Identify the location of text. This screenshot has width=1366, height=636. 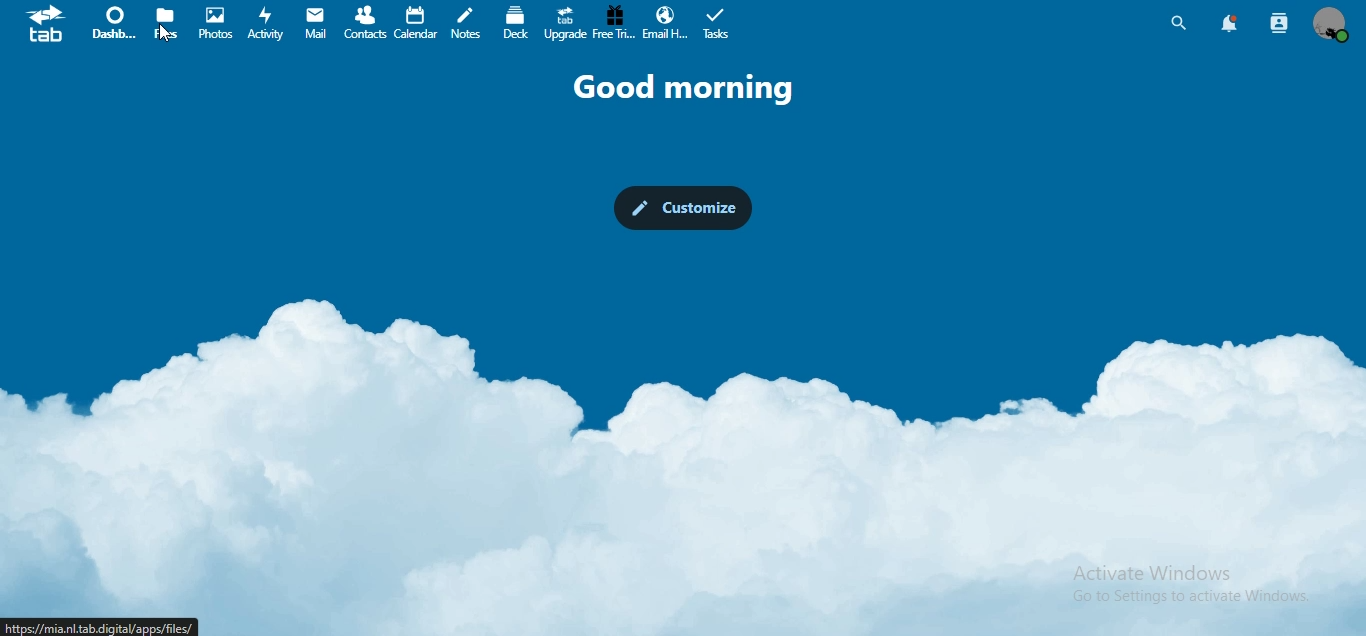
(693, 87).